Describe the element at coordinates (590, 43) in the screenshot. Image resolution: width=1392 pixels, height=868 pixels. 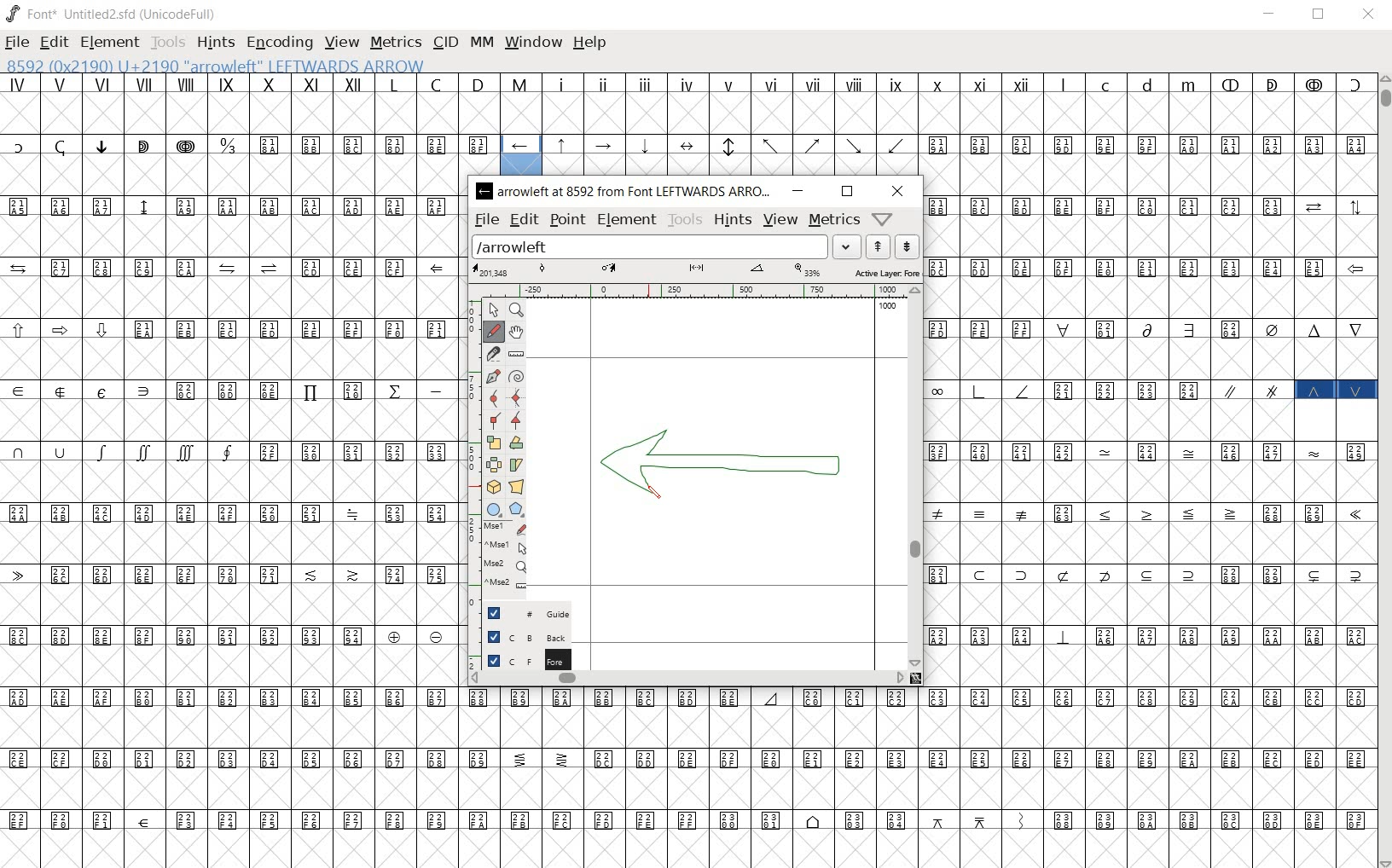
I see `help` at that location.